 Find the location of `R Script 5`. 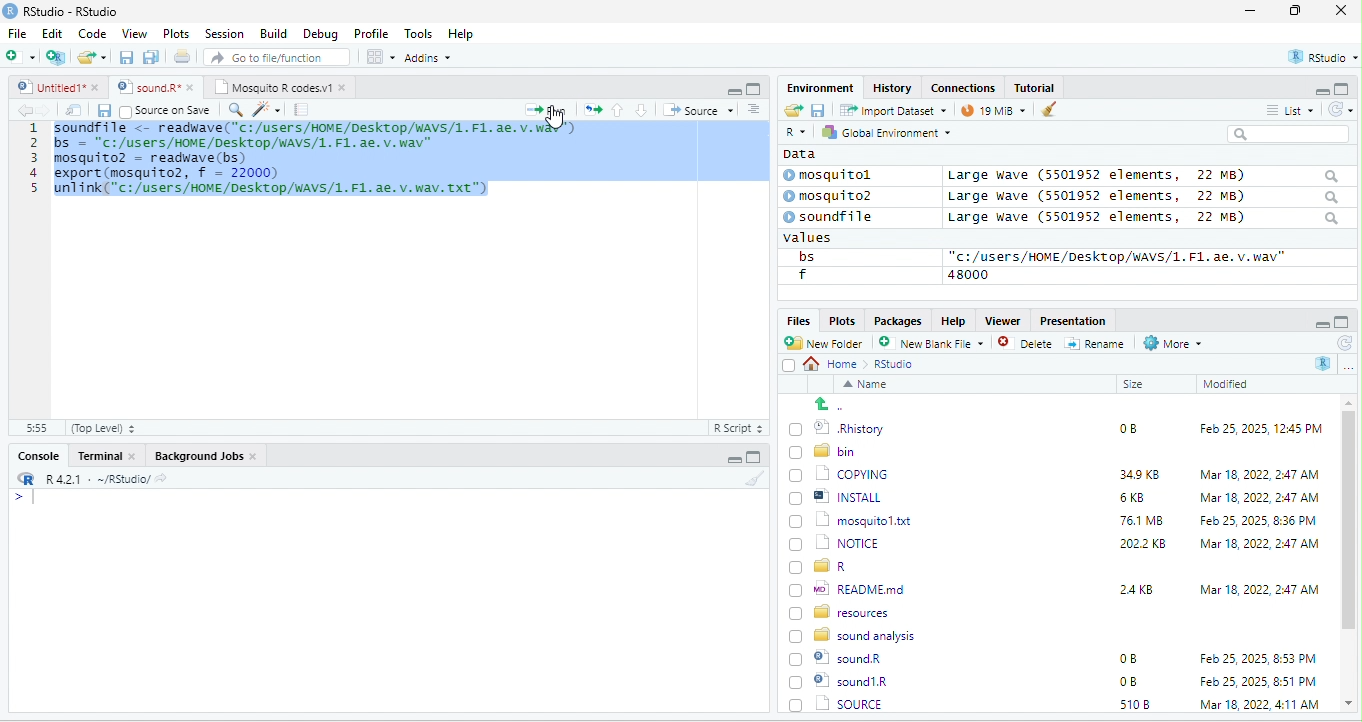

R Script 5 is located at coordinates (739, 428).